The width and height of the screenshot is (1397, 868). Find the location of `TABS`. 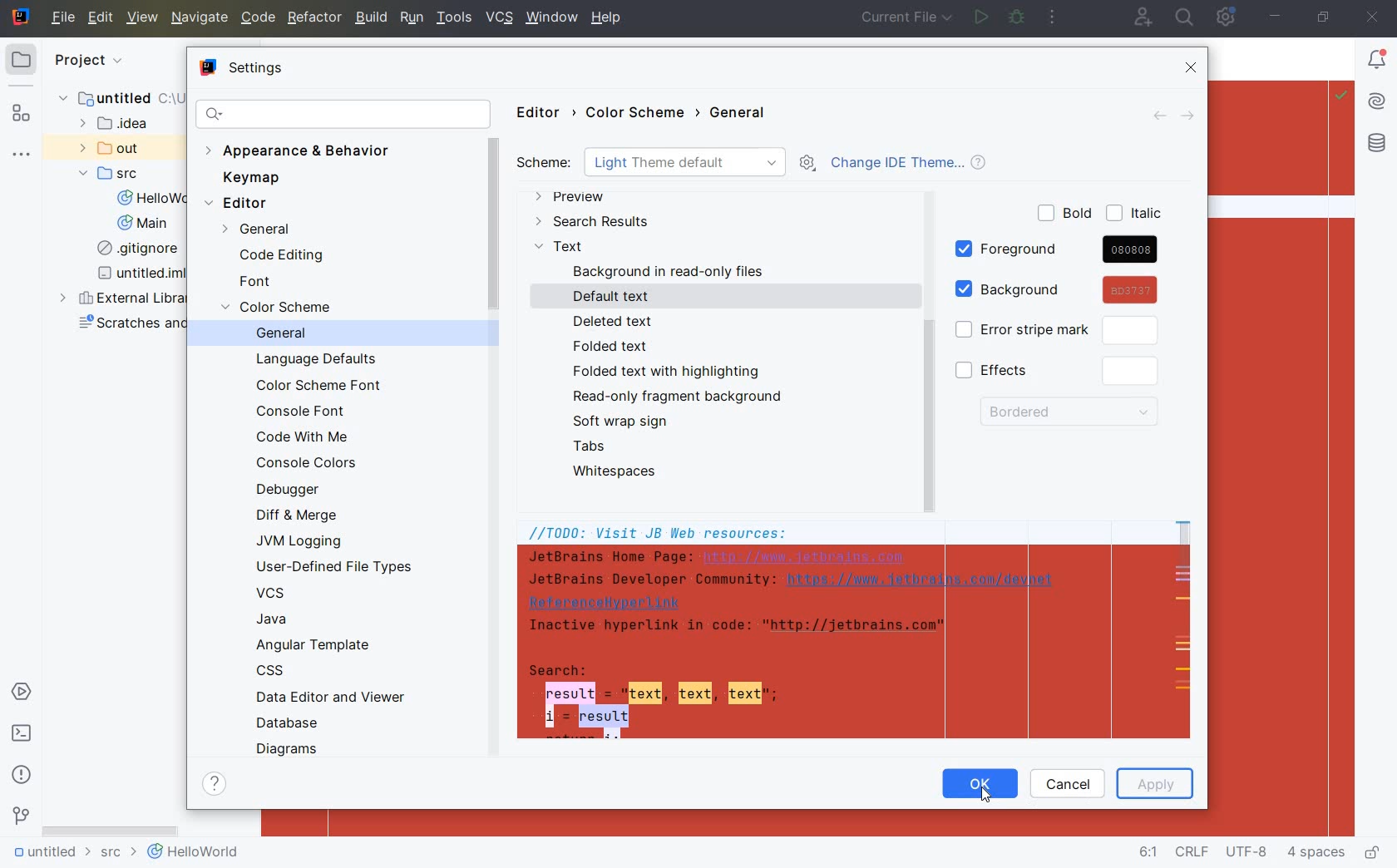

TABS is located at coordinates (592, 446).